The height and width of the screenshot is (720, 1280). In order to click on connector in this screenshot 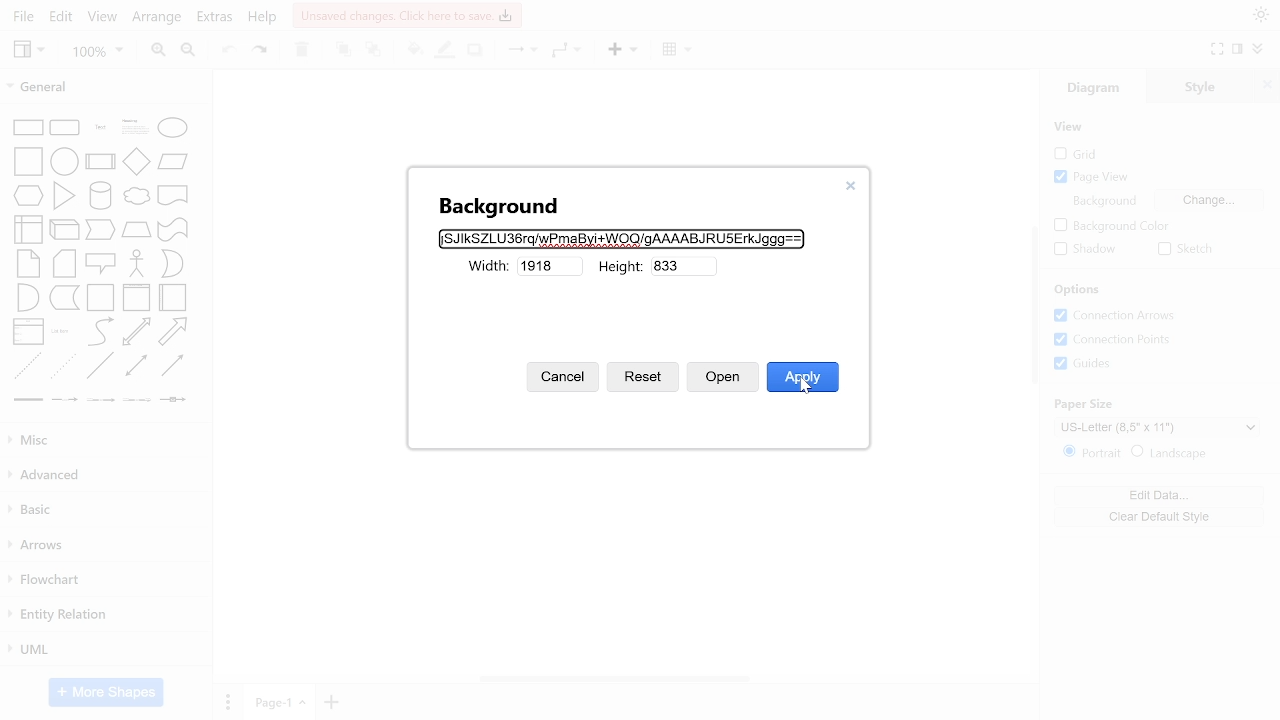, I will do `click(518, 52)`.